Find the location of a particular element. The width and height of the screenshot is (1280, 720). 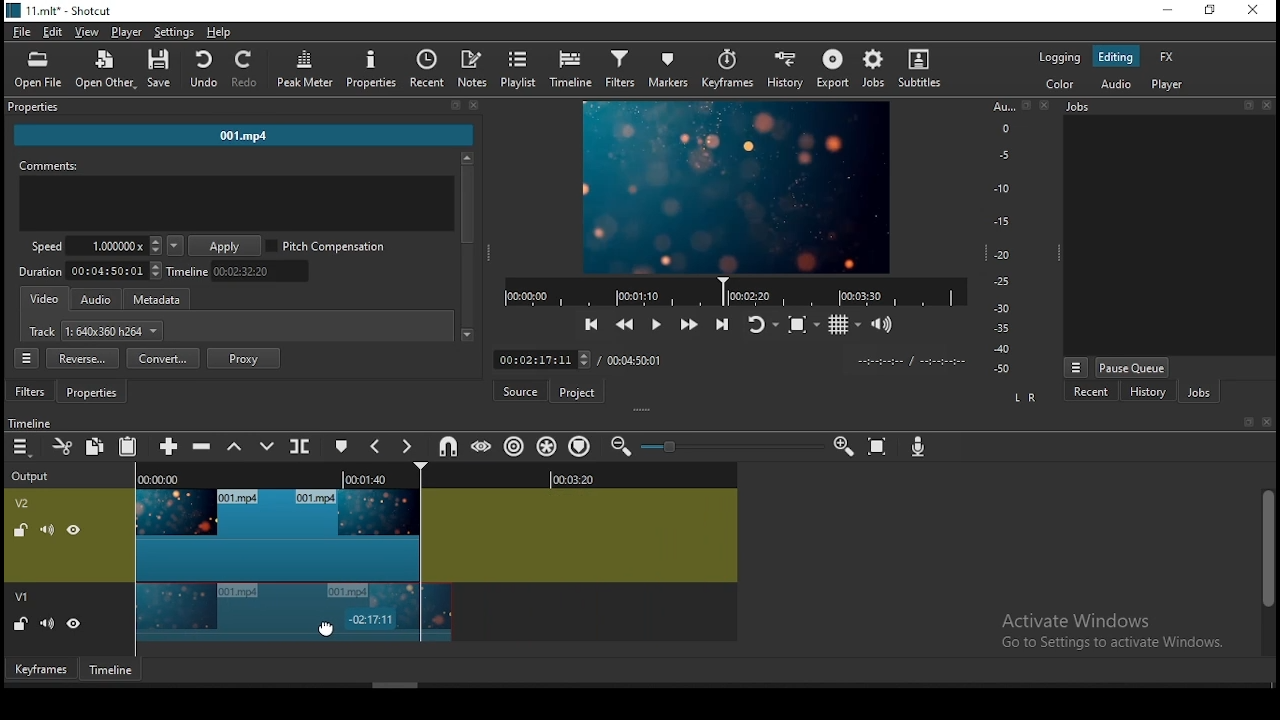

logging is located at coordinates (1060, 56).